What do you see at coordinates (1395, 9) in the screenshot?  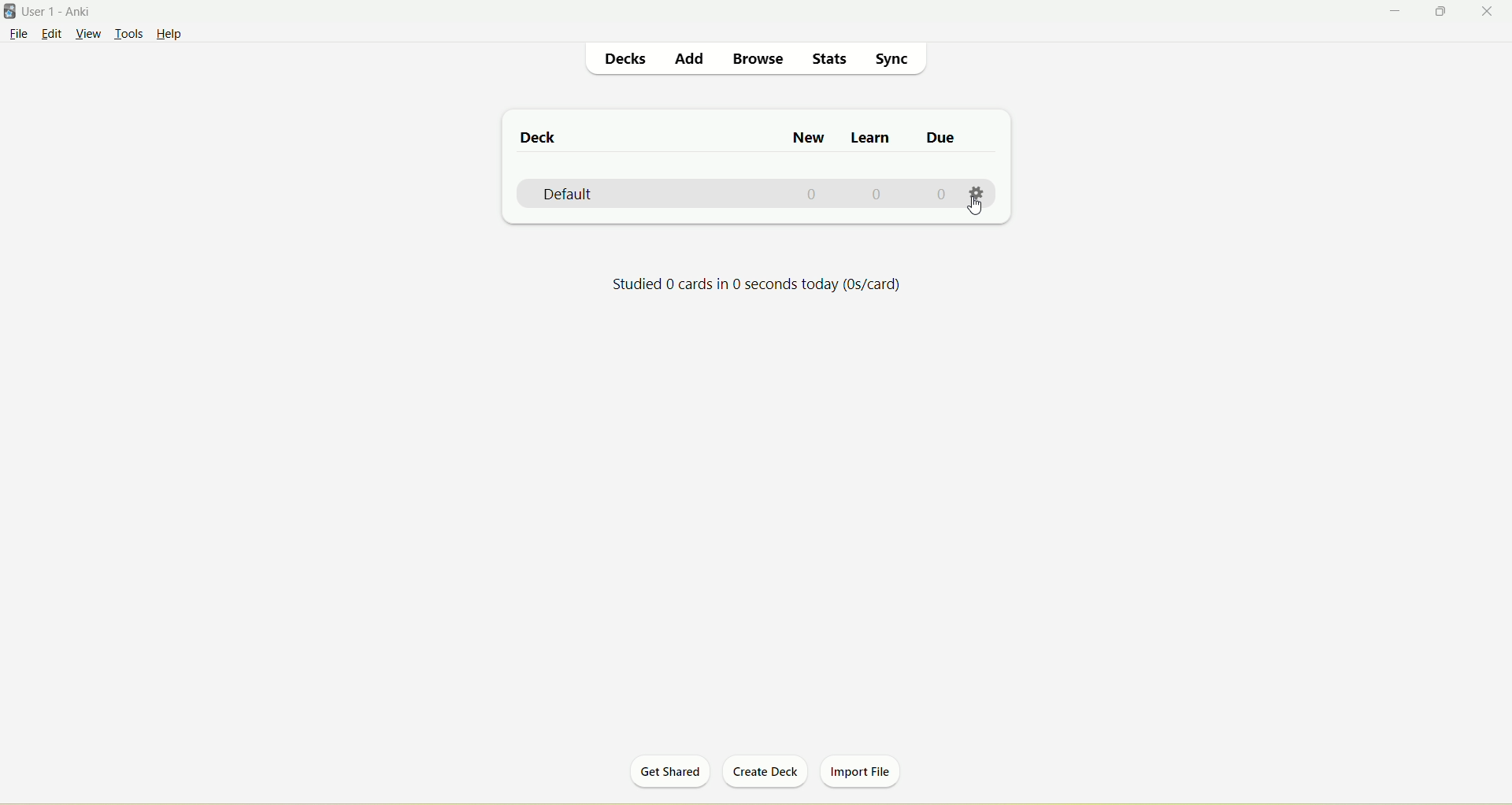 I see `minimize` at bounding box center [1395, 9].